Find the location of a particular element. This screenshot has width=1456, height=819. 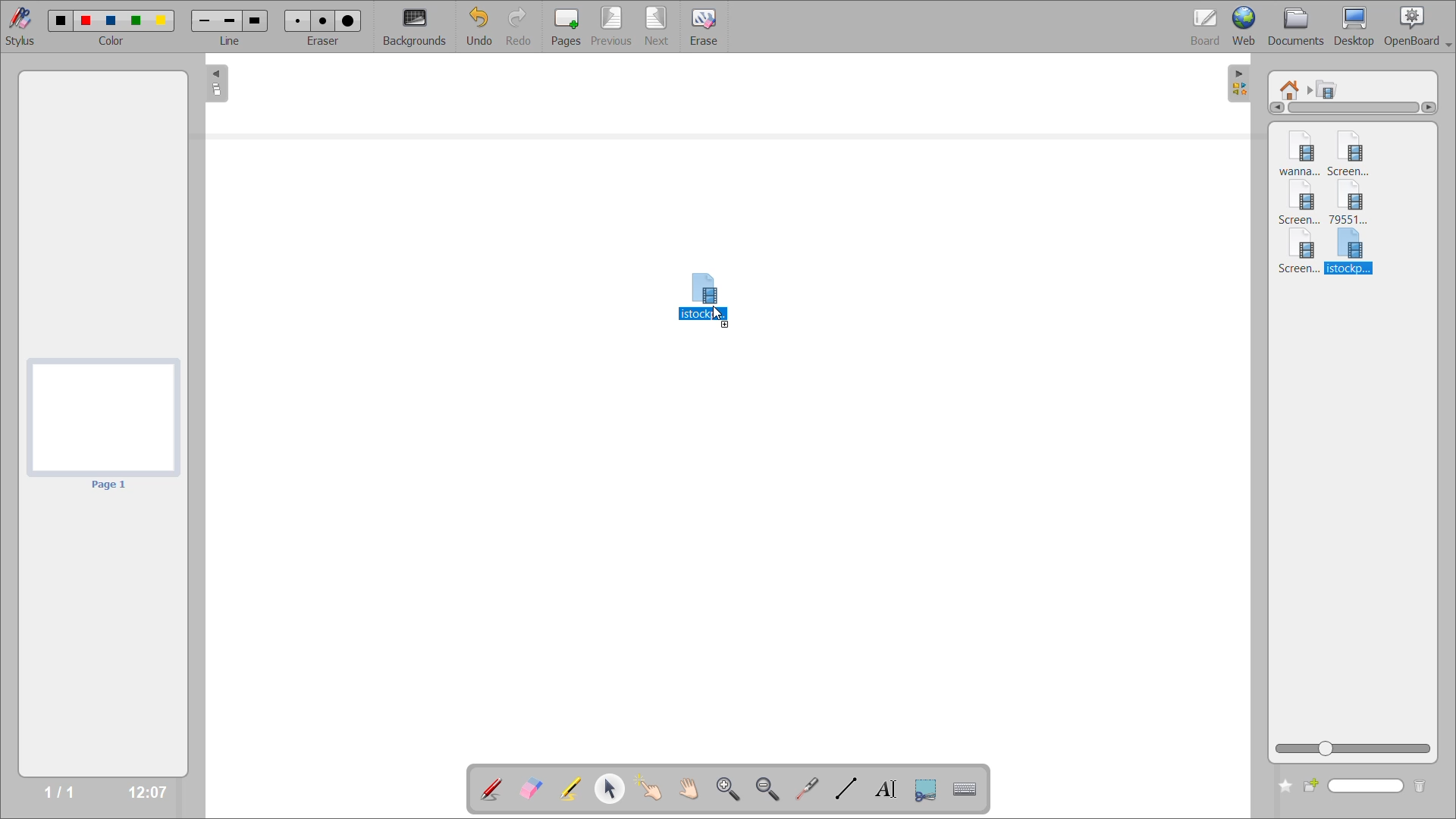

select and modify objects is located at coordinates (615, 789).